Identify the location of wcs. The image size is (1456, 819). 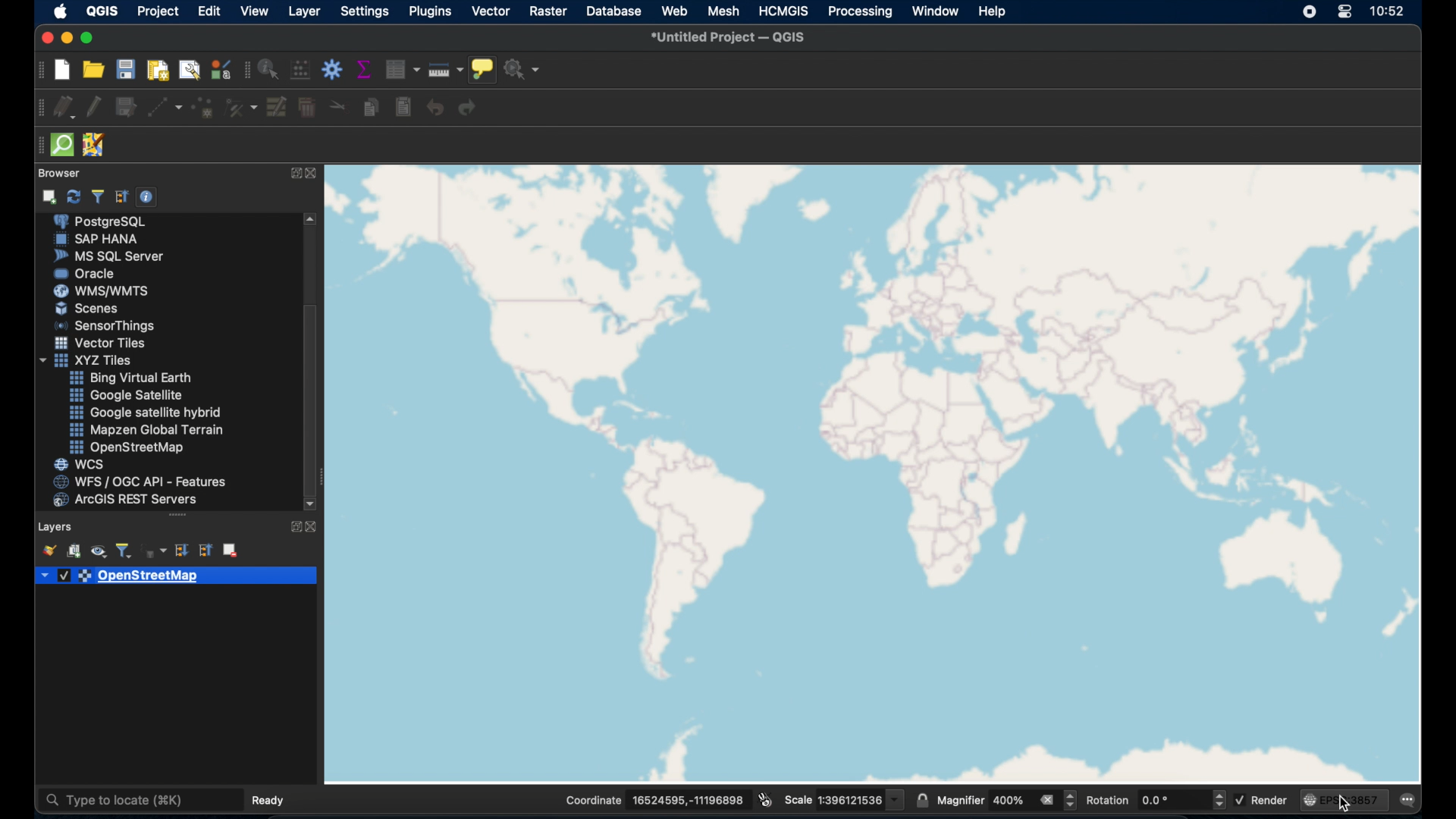
(81, 463).